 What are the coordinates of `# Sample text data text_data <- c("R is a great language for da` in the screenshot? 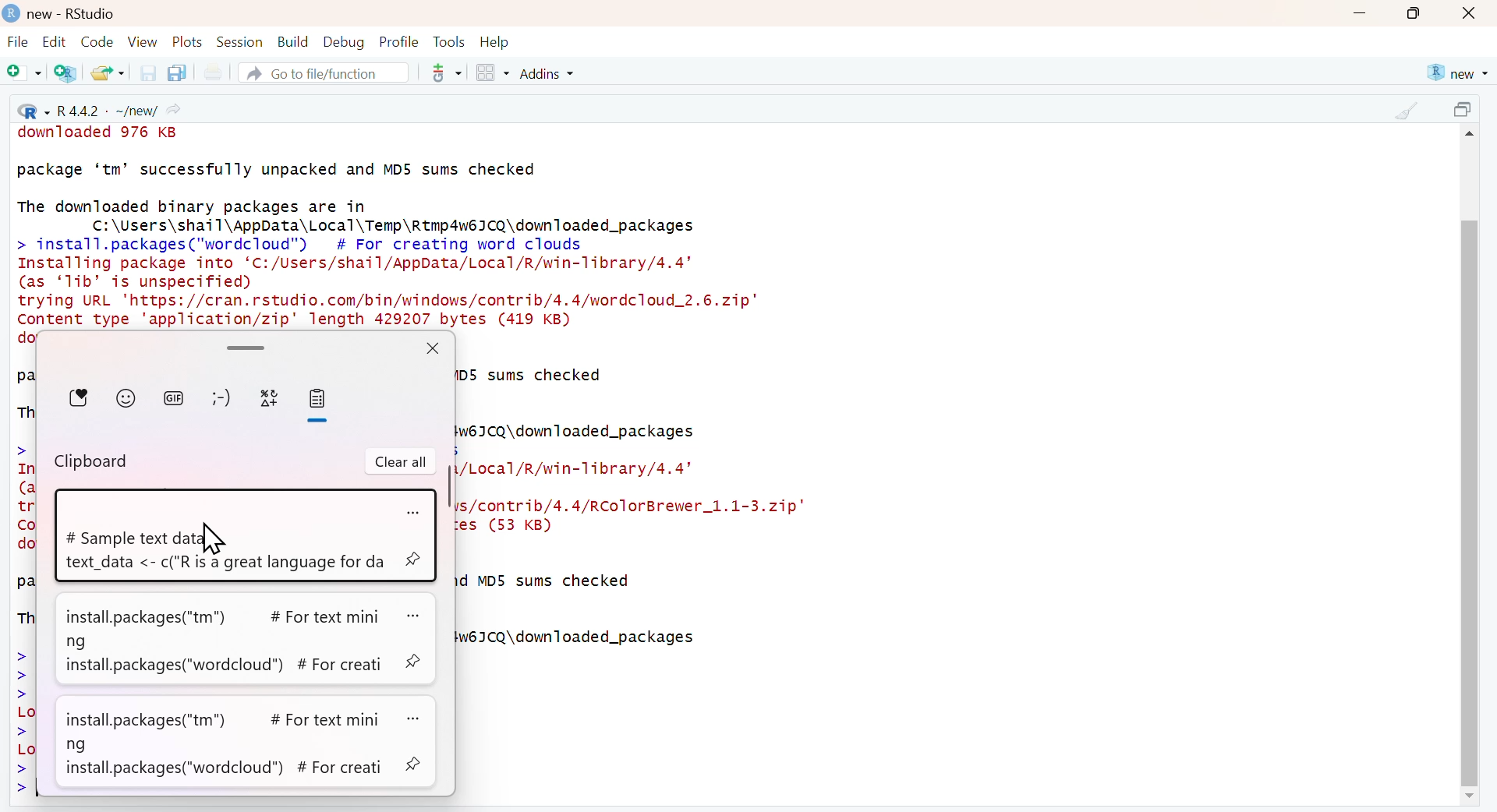 It's located at (227, 553).